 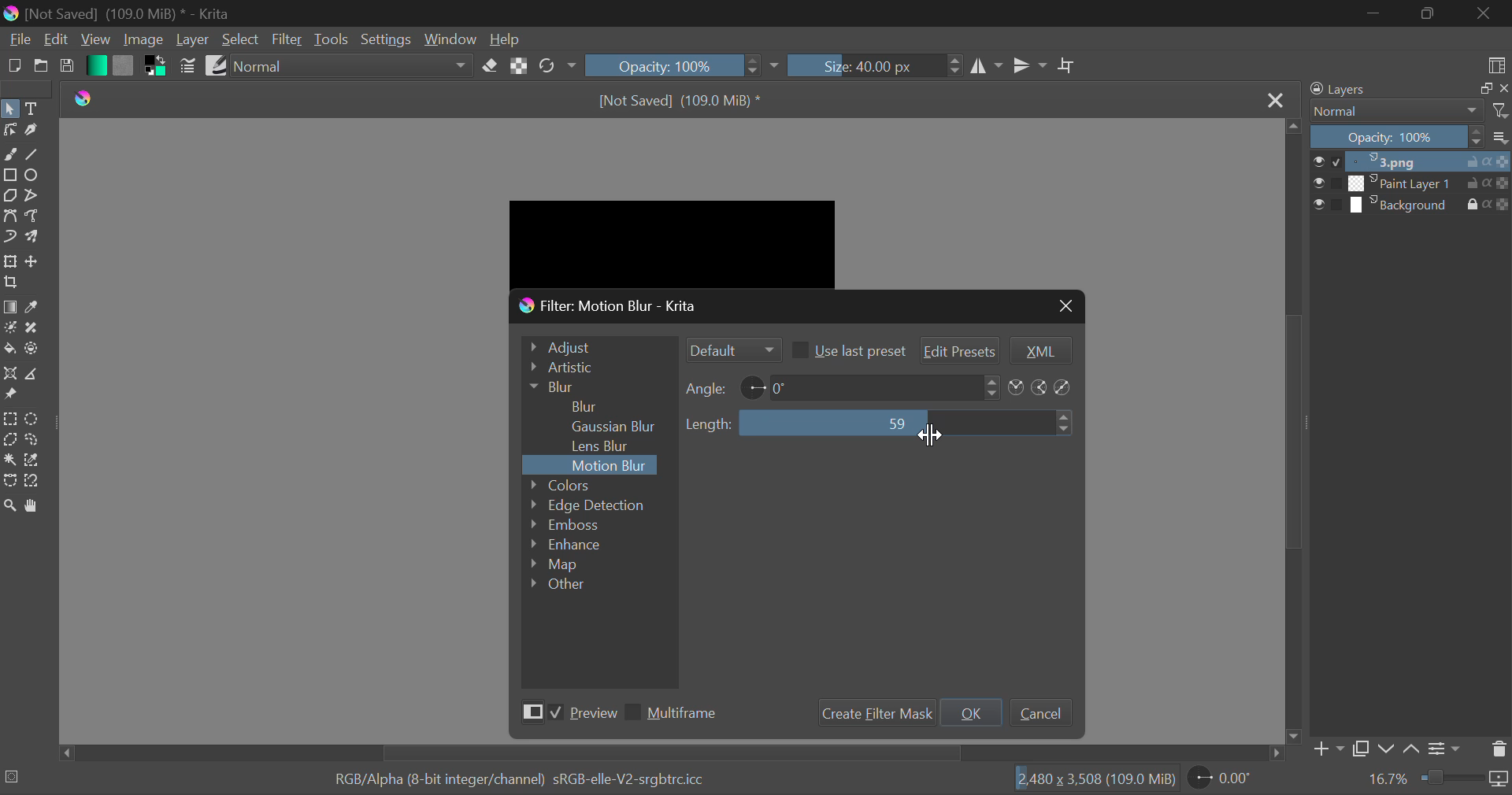 I want to click on Paint Layer 1, so click(x=1413, y=183).